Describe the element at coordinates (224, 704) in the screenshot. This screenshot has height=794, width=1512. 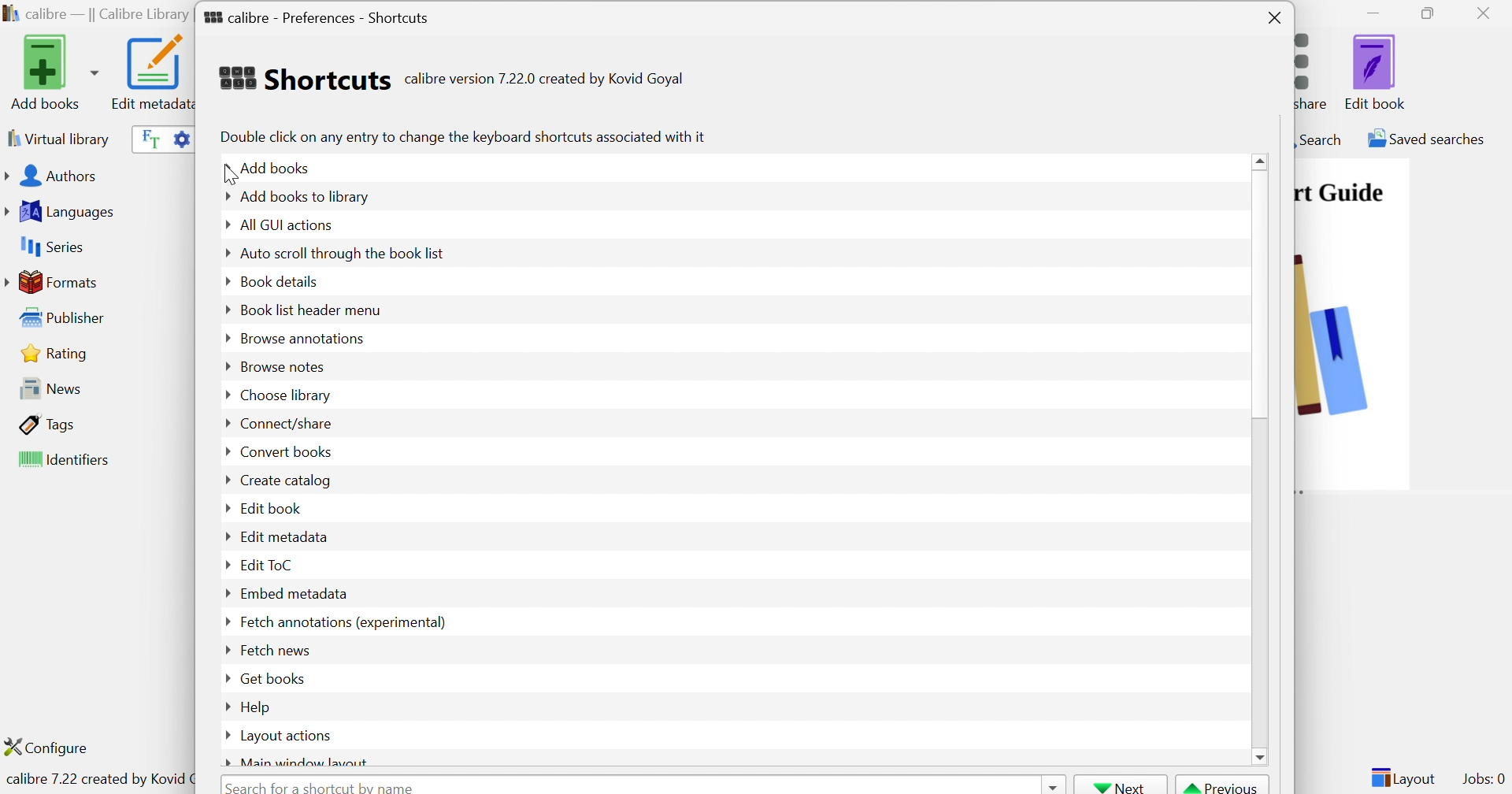
I see `Drop Down` at that location.